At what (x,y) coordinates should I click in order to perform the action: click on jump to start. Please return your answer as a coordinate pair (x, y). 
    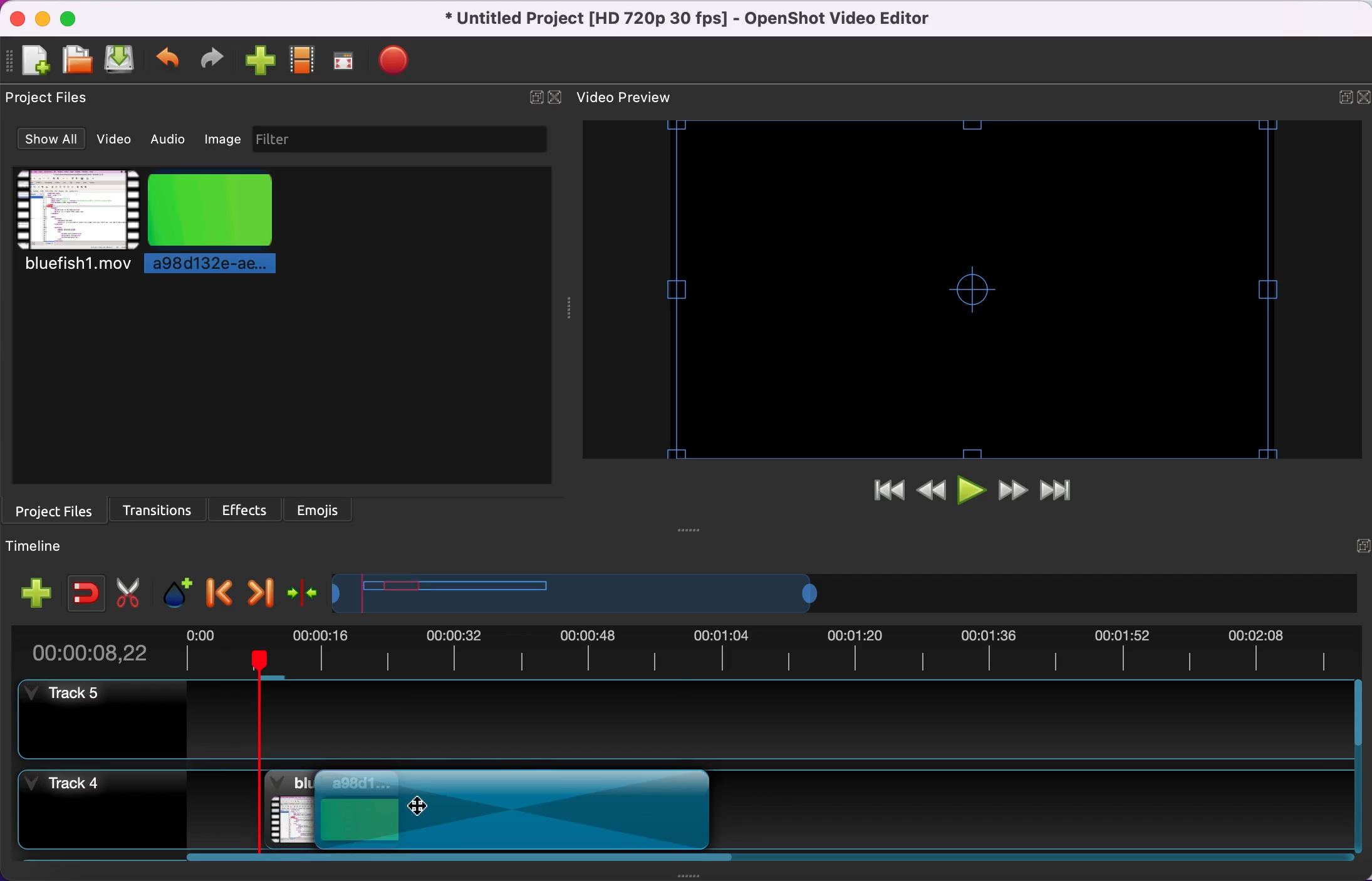
    Looking at the image, I should click on (888, 492).